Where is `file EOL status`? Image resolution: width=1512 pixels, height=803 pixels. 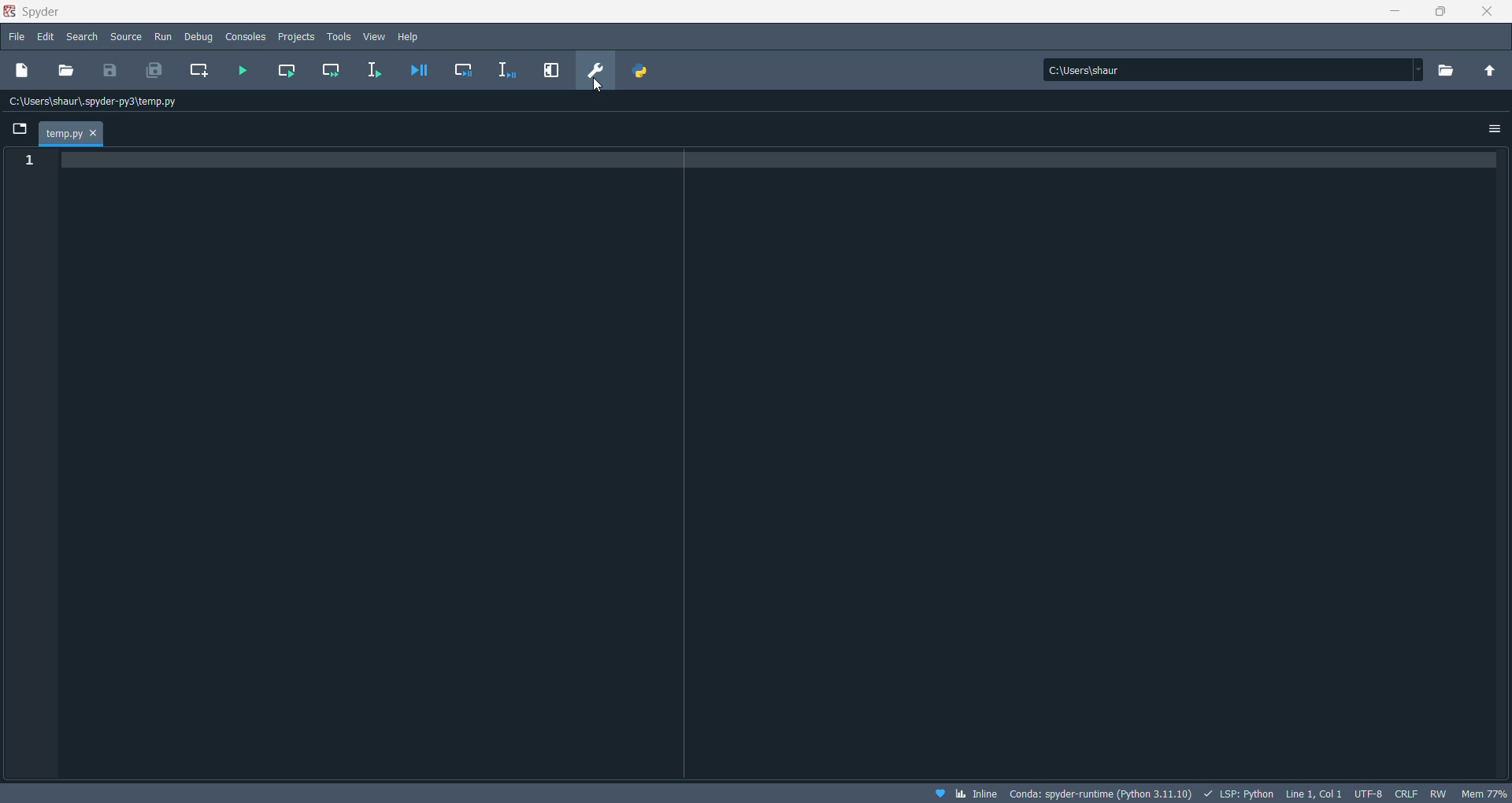 file EOL status is located at coordinates (1405, 792).